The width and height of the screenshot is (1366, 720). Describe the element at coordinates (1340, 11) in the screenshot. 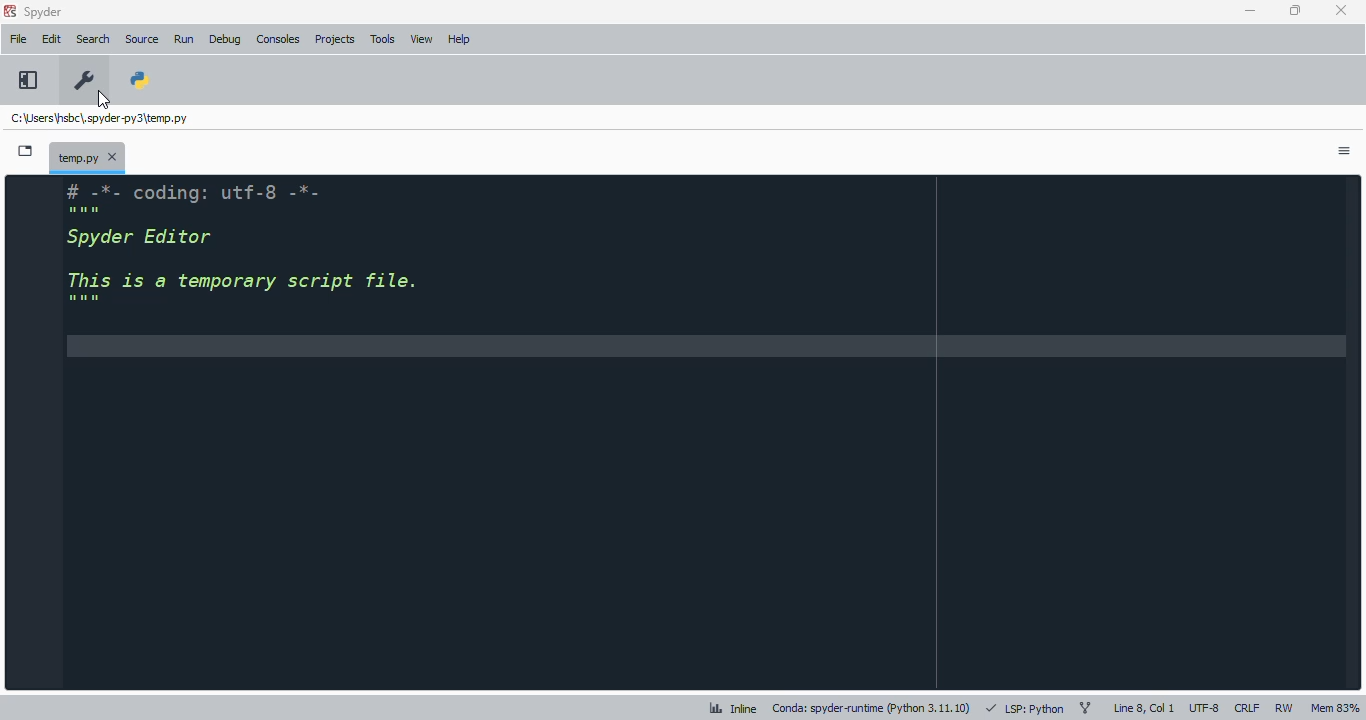

I see `close` at that location.